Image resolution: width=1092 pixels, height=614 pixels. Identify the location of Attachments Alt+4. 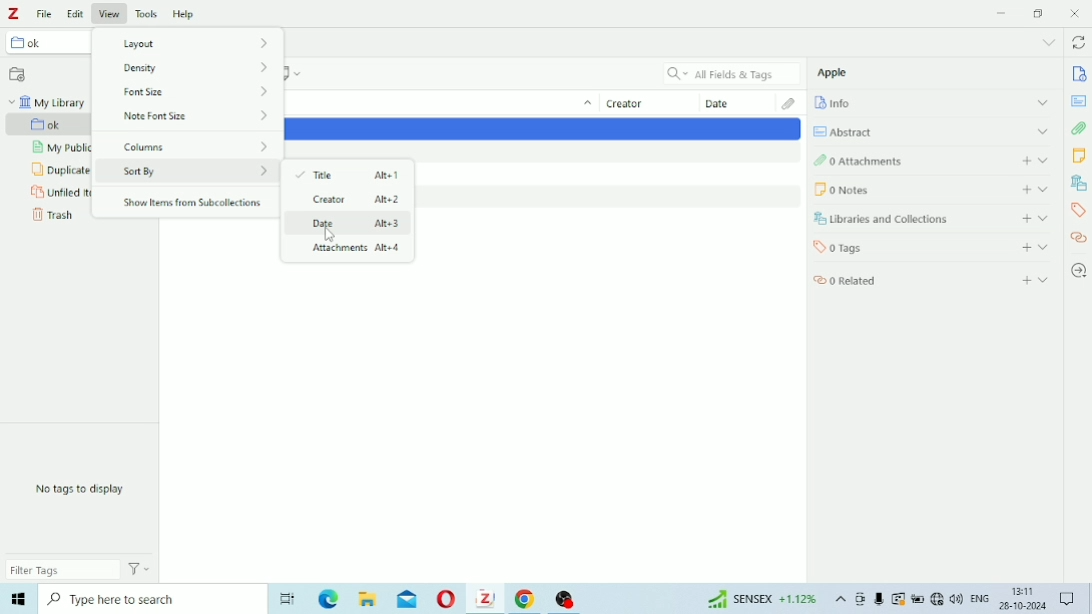
(351, 250).